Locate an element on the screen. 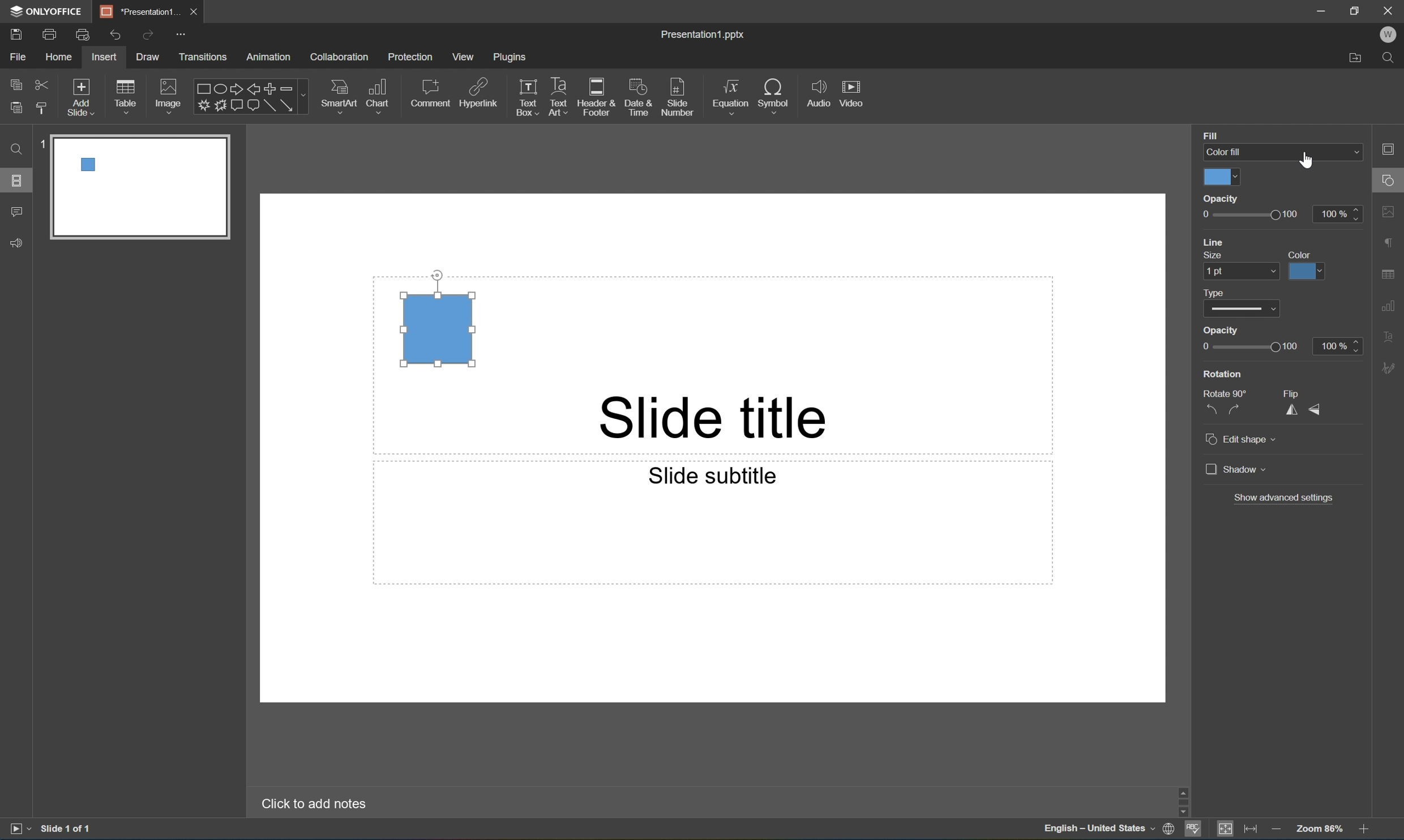 The image size is (1404, 840). Symbol is located at coordinates (774, 94).